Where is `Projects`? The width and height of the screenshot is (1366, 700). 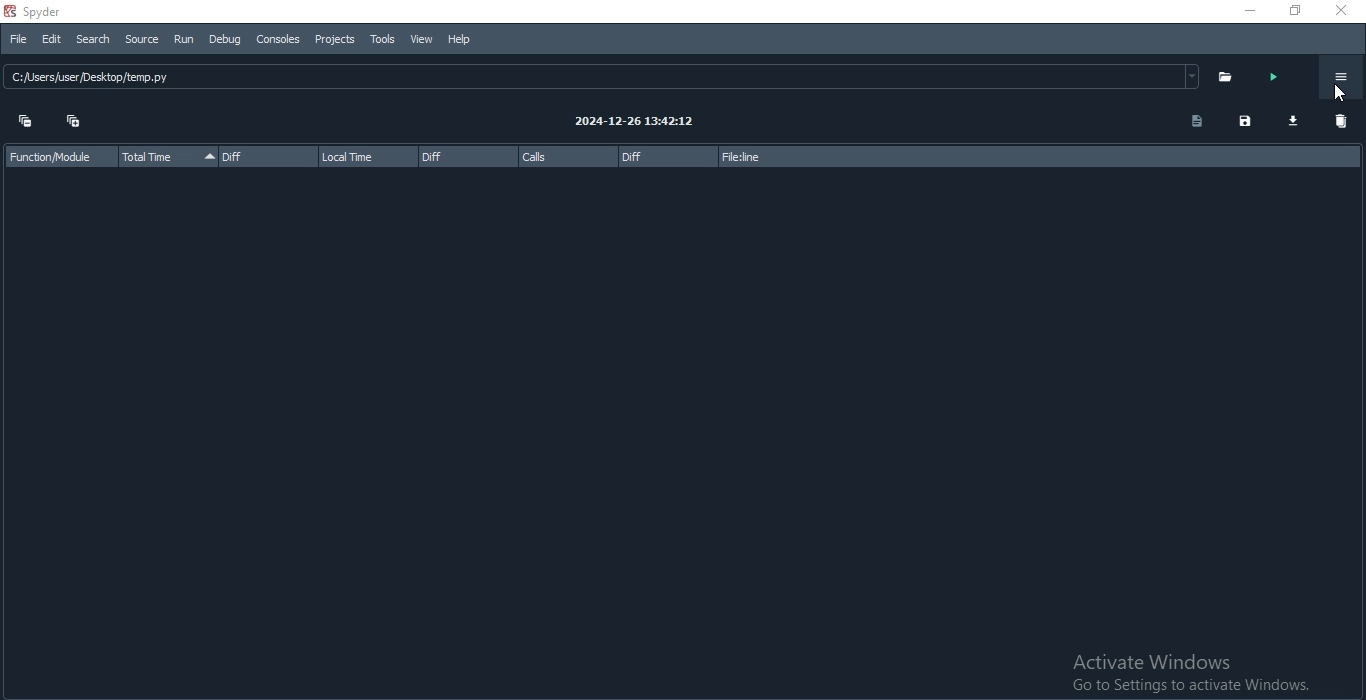 Projects is located at coordinates (335, 40).